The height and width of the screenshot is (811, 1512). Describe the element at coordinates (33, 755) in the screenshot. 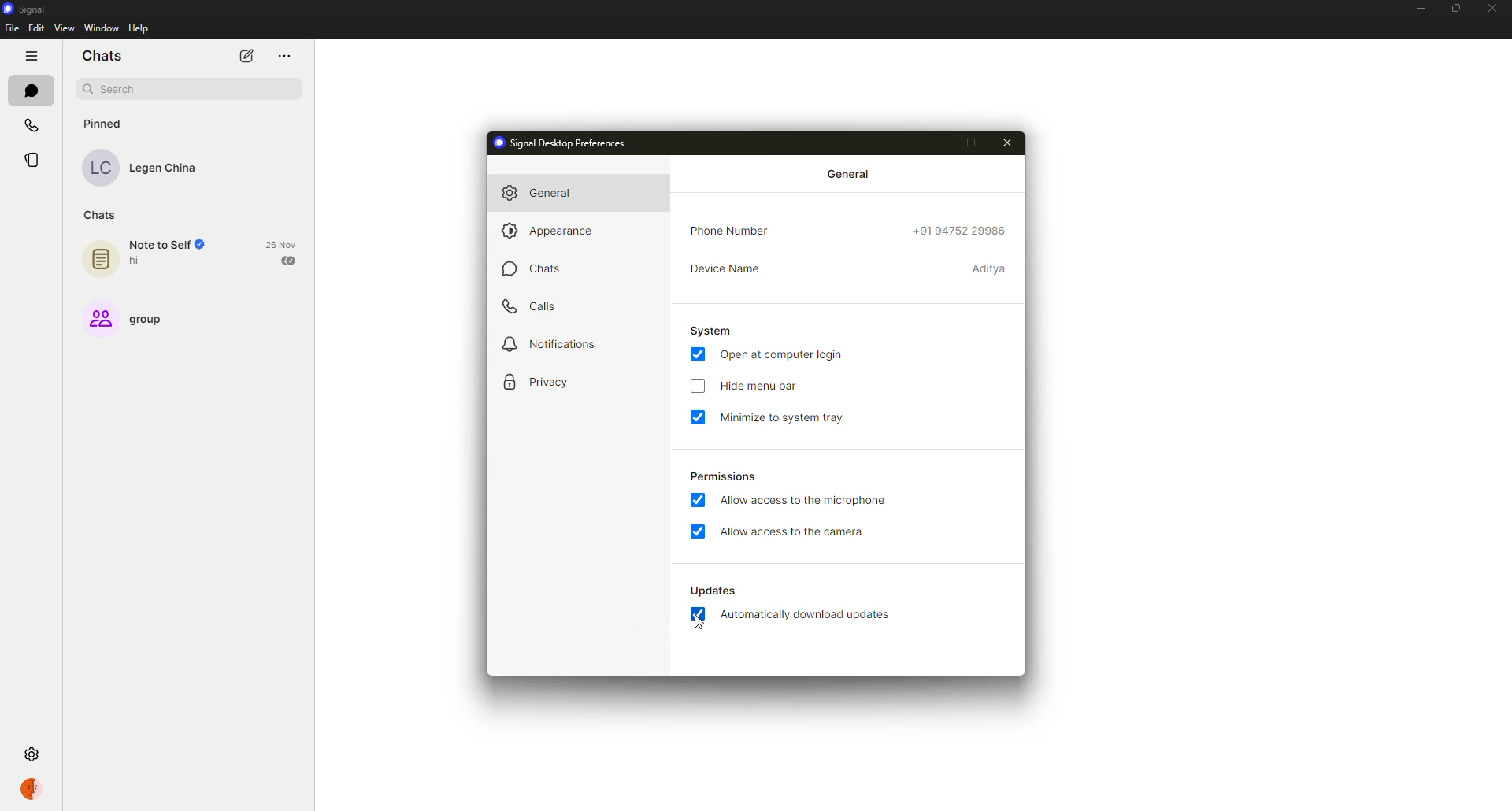

I see `settings` at that location.